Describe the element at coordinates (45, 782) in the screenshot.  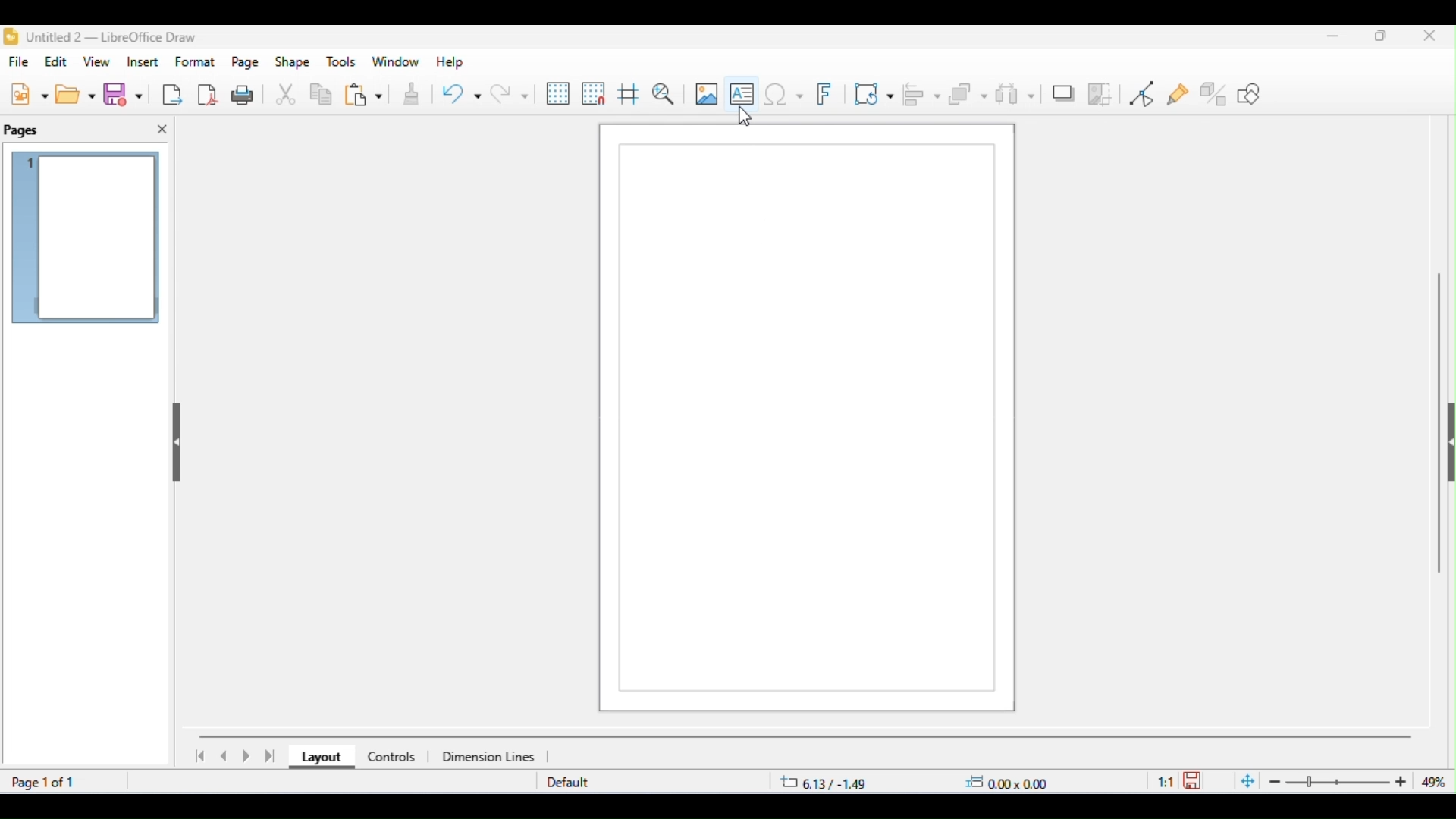
I see `page 1 of 1` at that location.